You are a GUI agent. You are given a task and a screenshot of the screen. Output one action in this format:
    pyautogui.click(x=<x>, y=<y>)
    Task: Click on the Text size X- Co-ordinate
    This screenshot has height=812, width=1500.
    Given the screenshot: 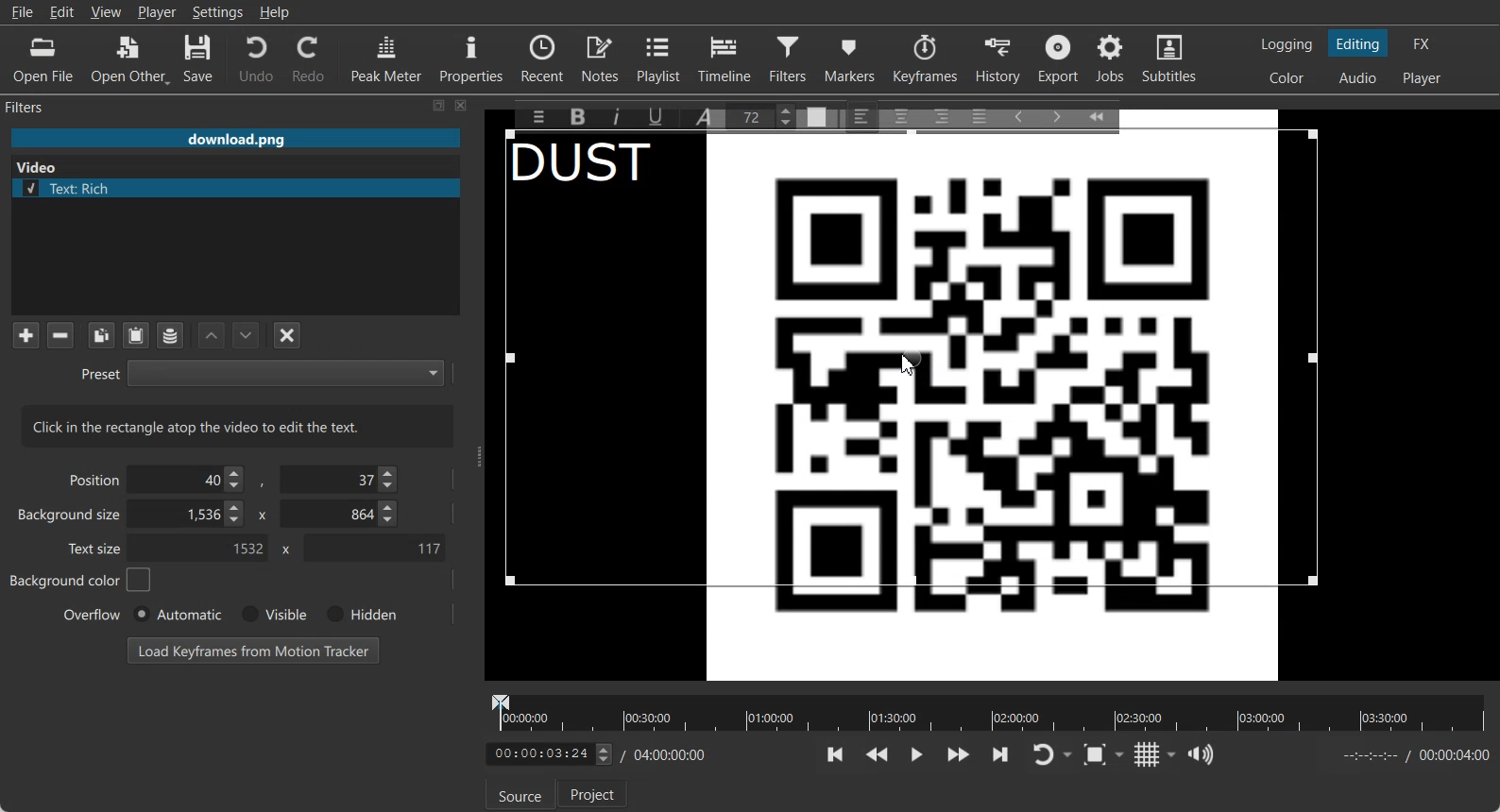 What is the action you would take?
    pyautogui.click(x=204, y=550)
    